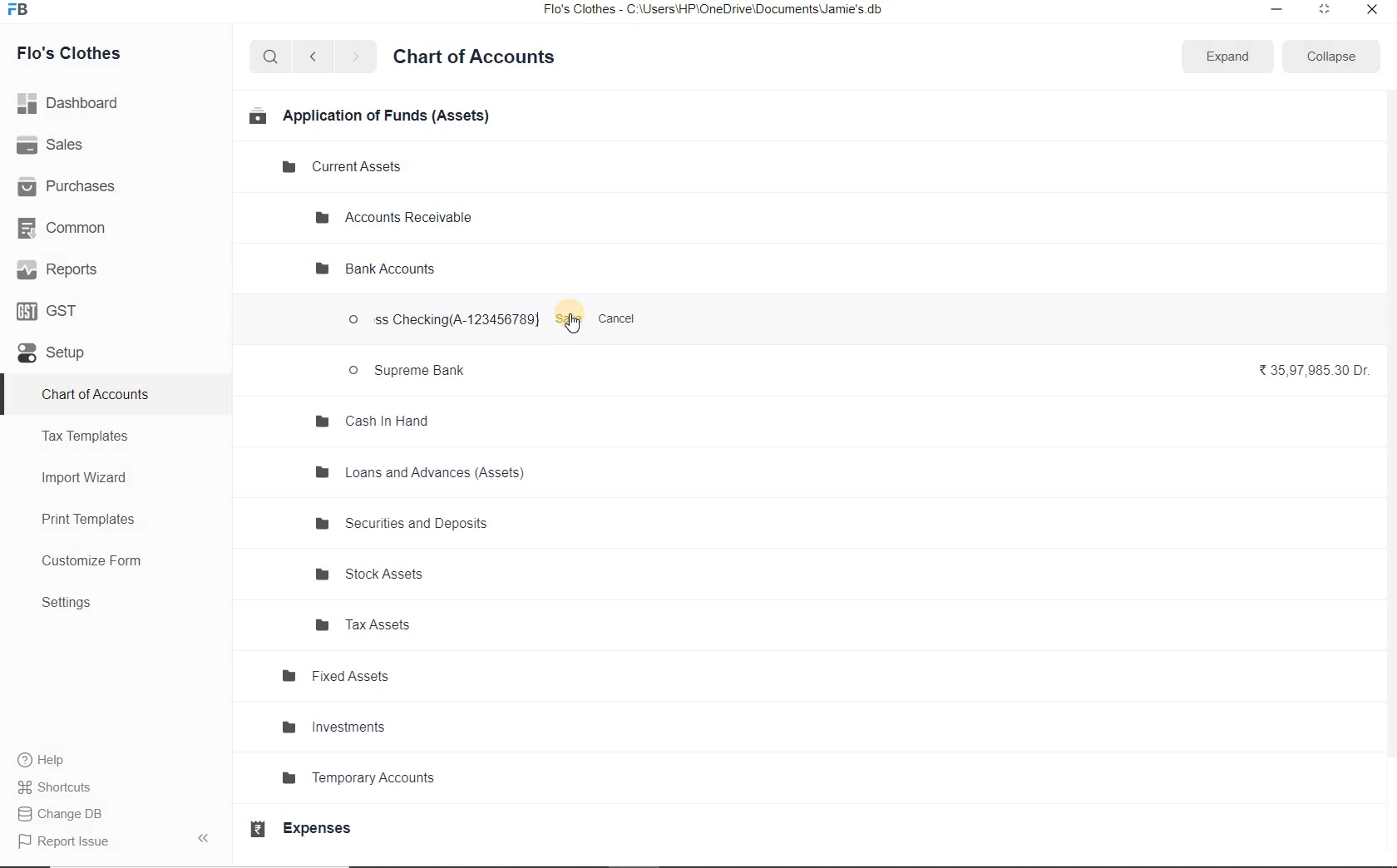 The width and height of the screenshot is (1397, 868). Describe the element at coordinates (104, 438) in the screenshot. I see `Tax Templates` at that location.